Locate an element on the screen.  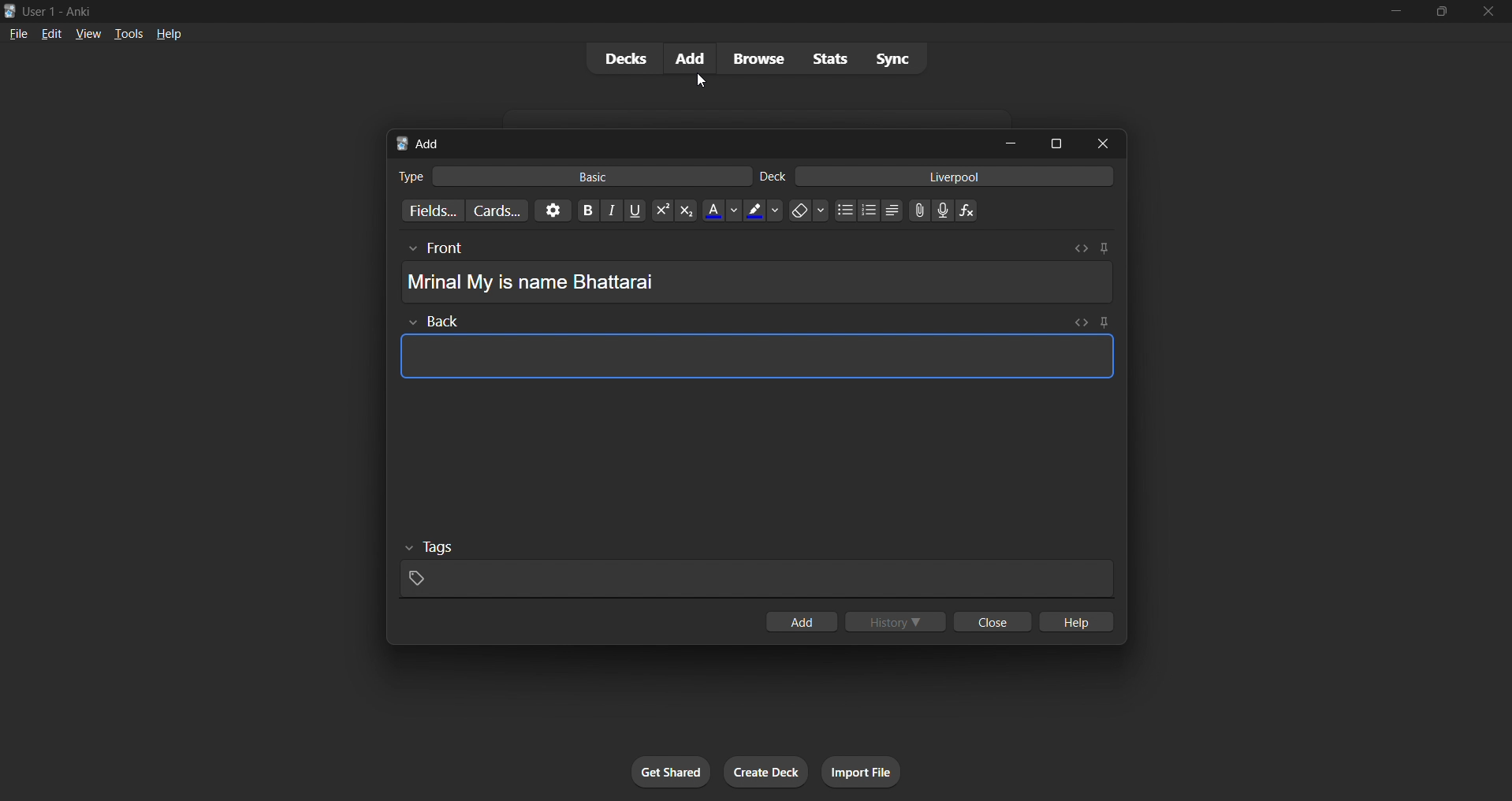
customize card fields is located at coordinates (430, 210).